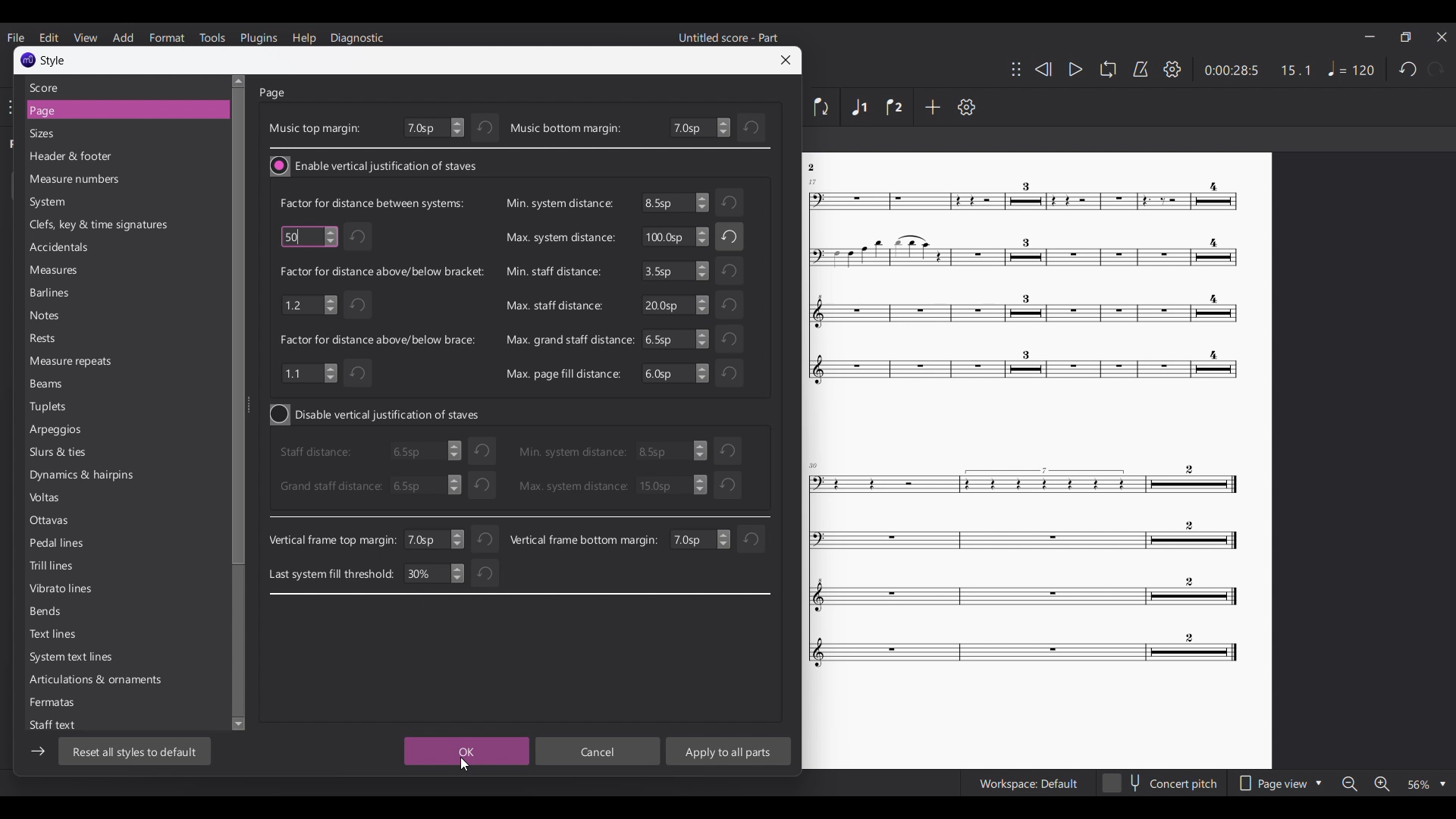 This screenshot has height=819, width=1456. What do you see at coordinates (1421, 69) in the screenshot?
I see `Redo and undo` at bounding box center [1421, 69].